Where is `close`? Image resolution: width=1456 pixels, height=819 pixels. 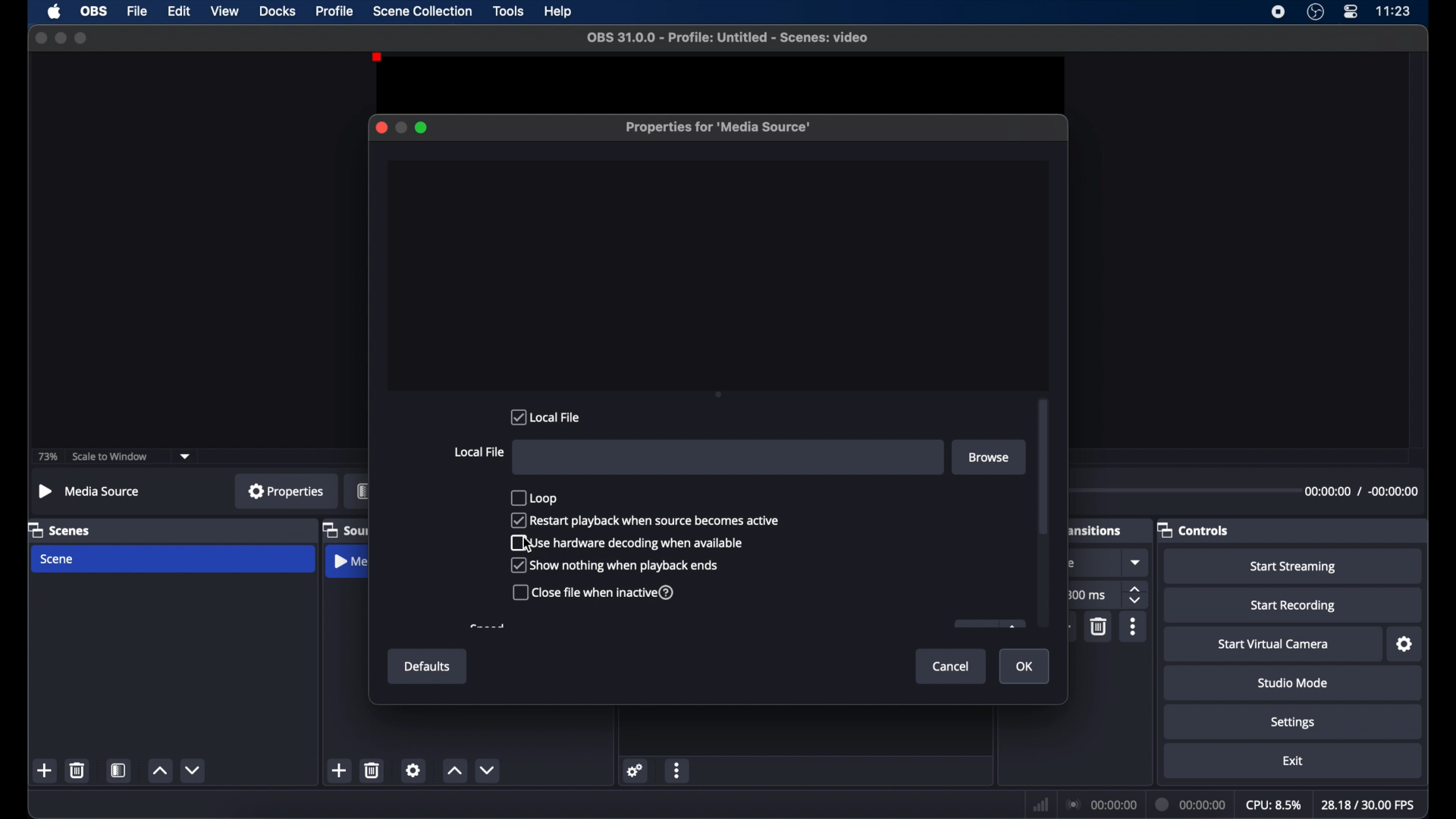
close is located at coordinates (40, 37).